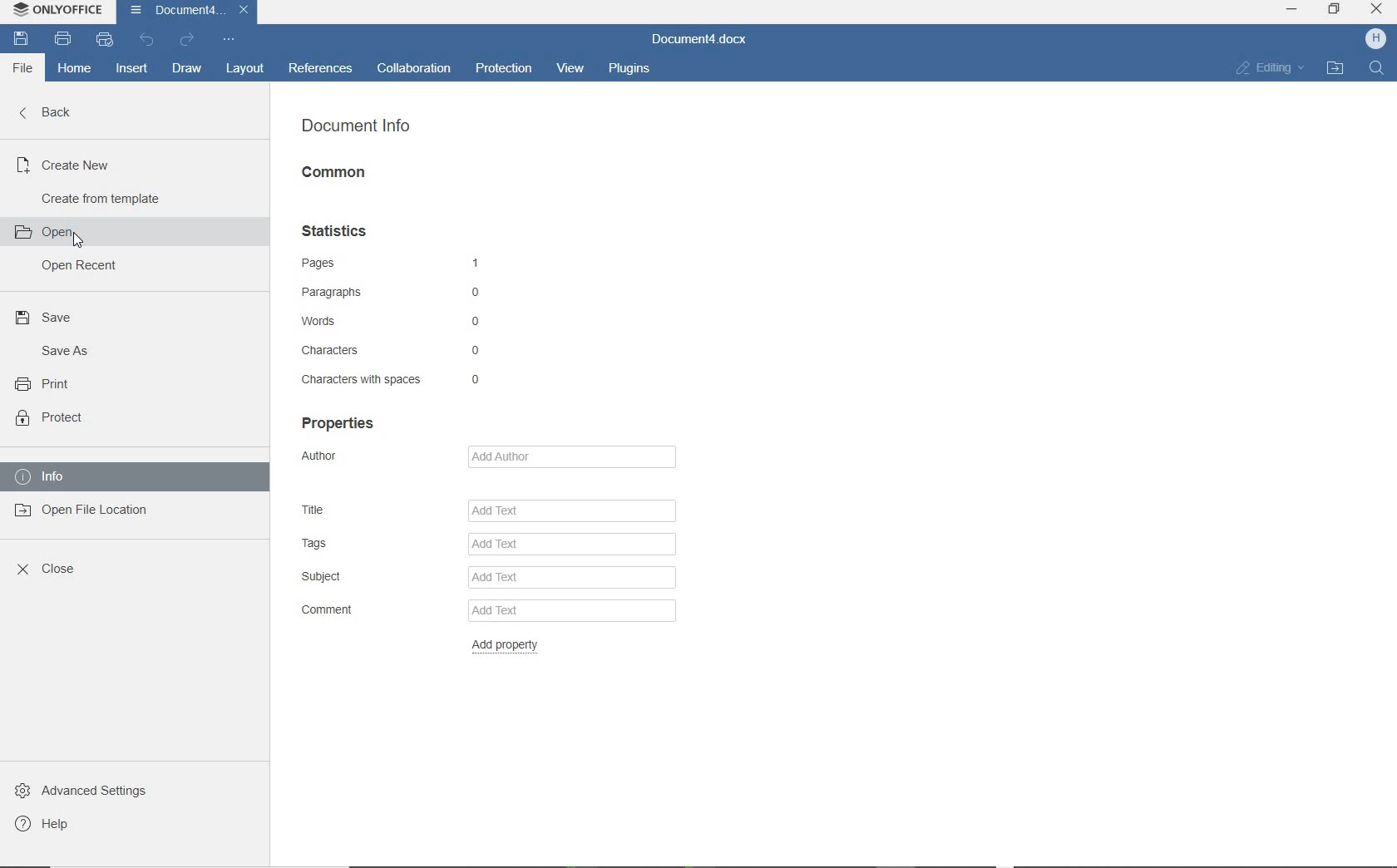 This screenshot has height=868, width=1397. Describe the element at coordinates (327, 577) in the screenshot. I see `subject` at that location.